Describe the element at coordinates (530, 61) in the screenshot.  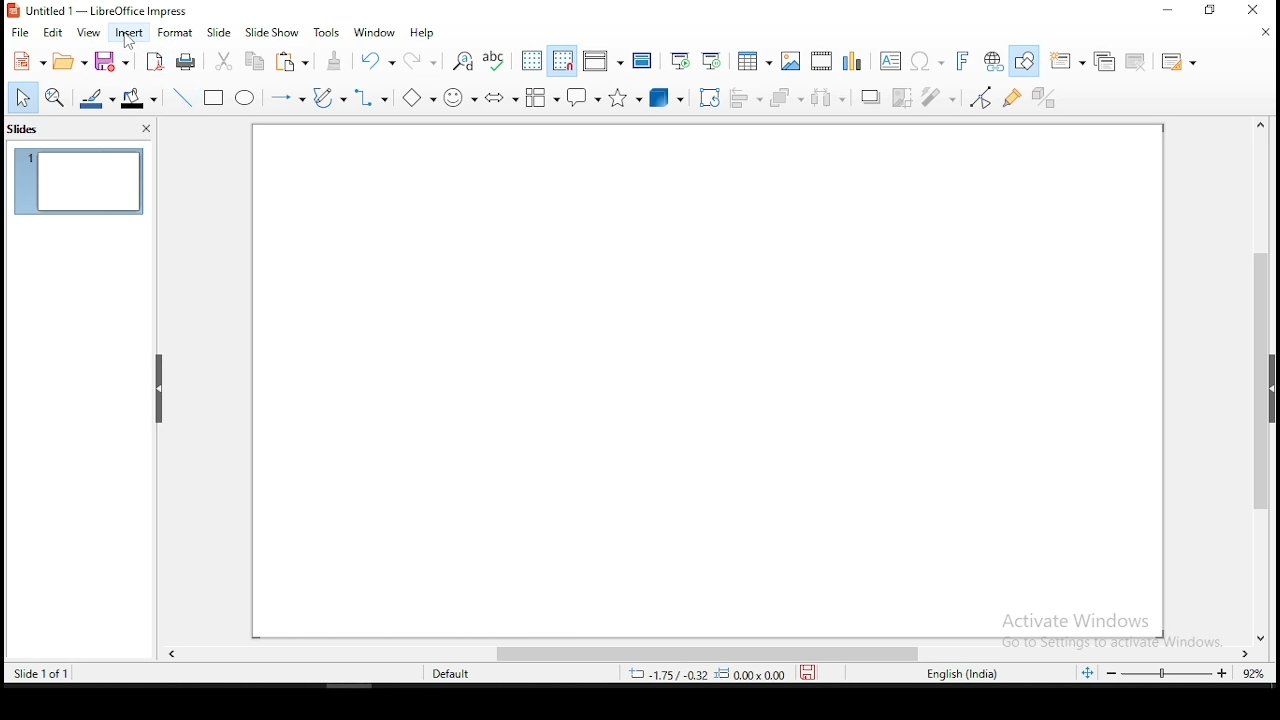
I see `display grid` at that location.